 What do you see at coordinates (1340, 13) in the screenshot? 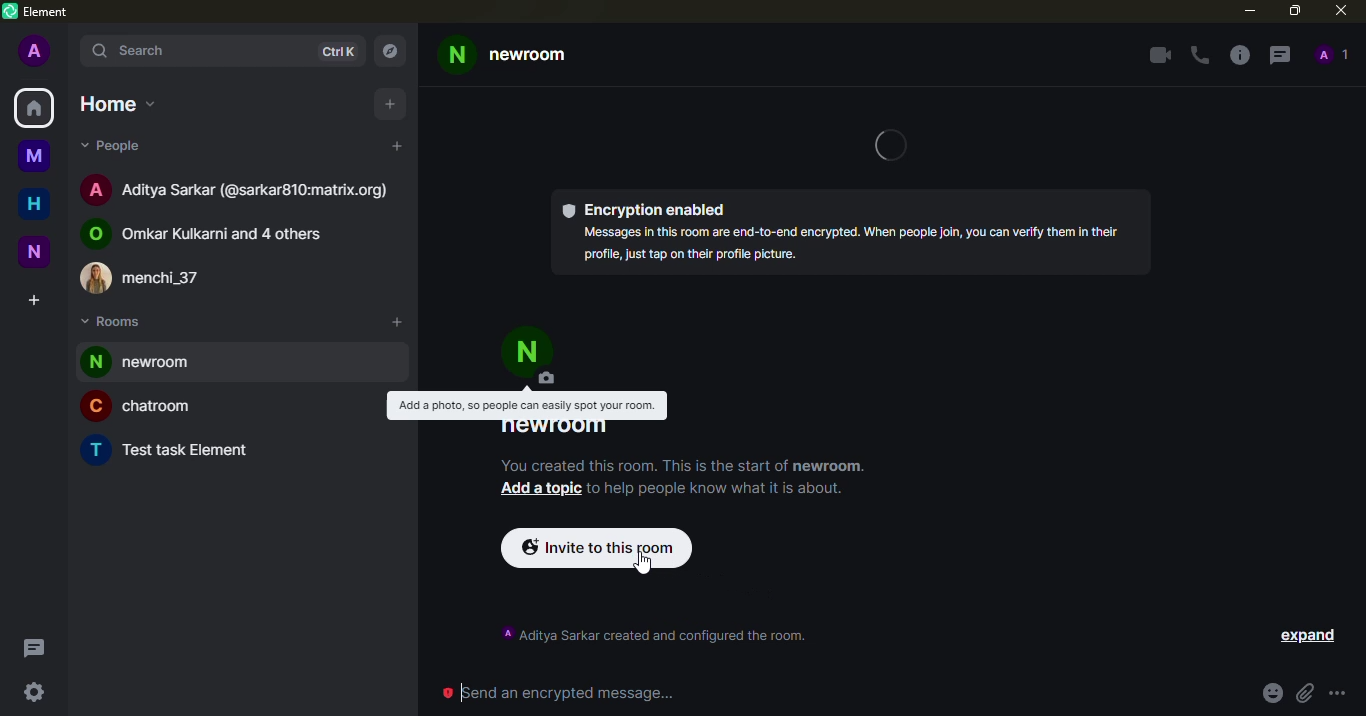
I see `close` at bounding box center [1340, 13].